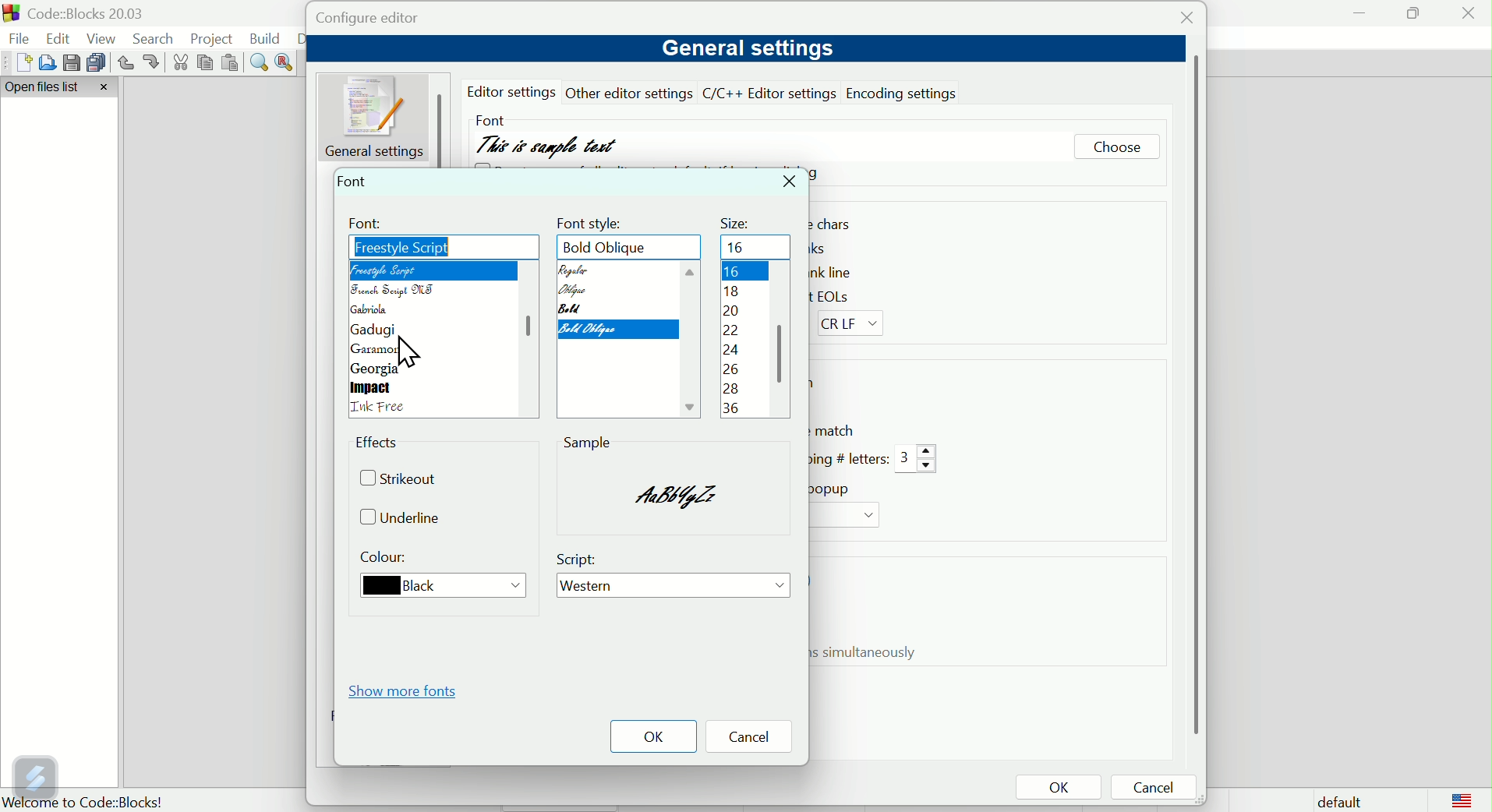  What do you see at coordinates (373, 388) in the screenshot?
I see `Impact` at bounding box center [373, 388].